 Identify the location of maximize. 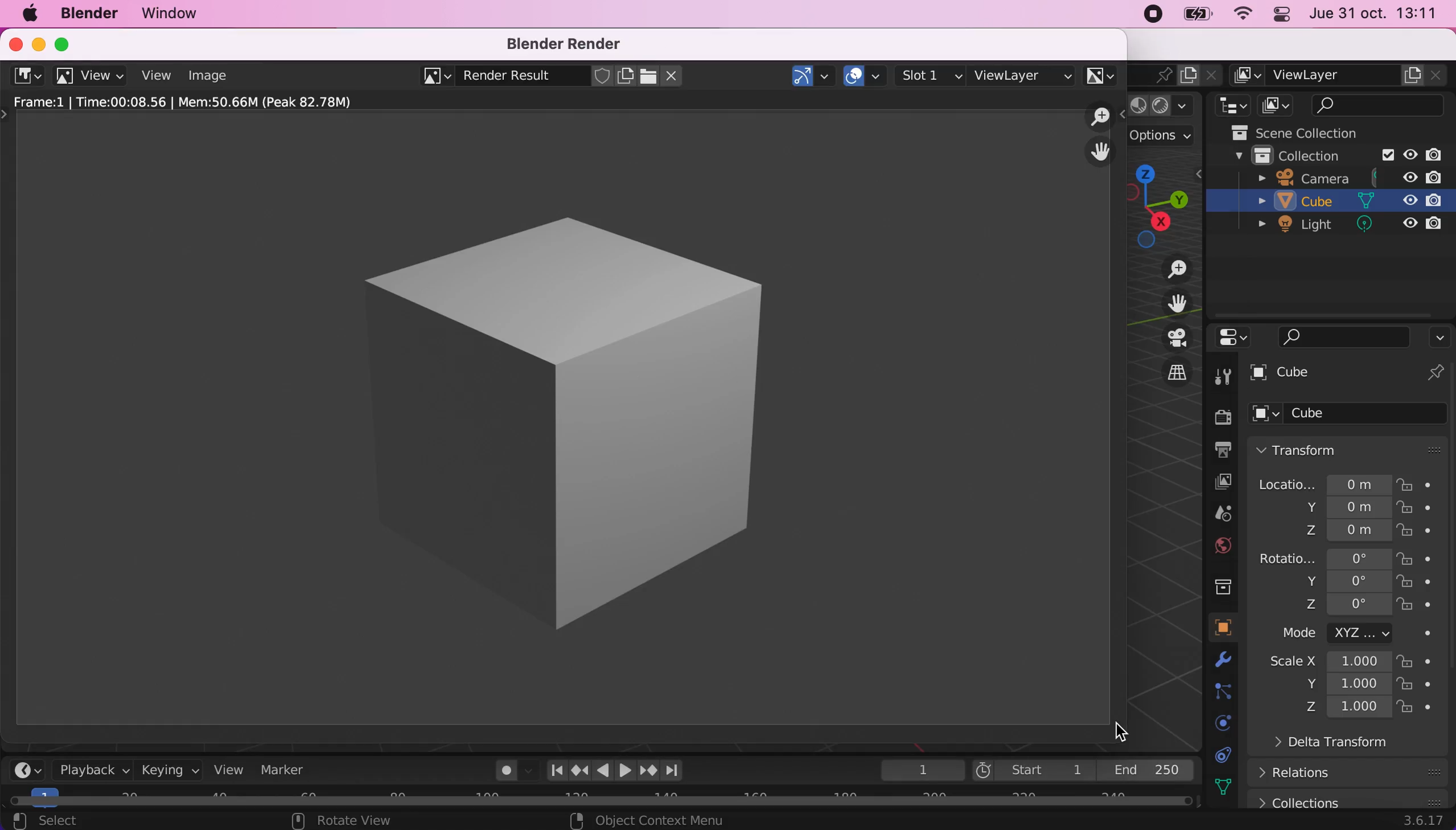
(66, 42).